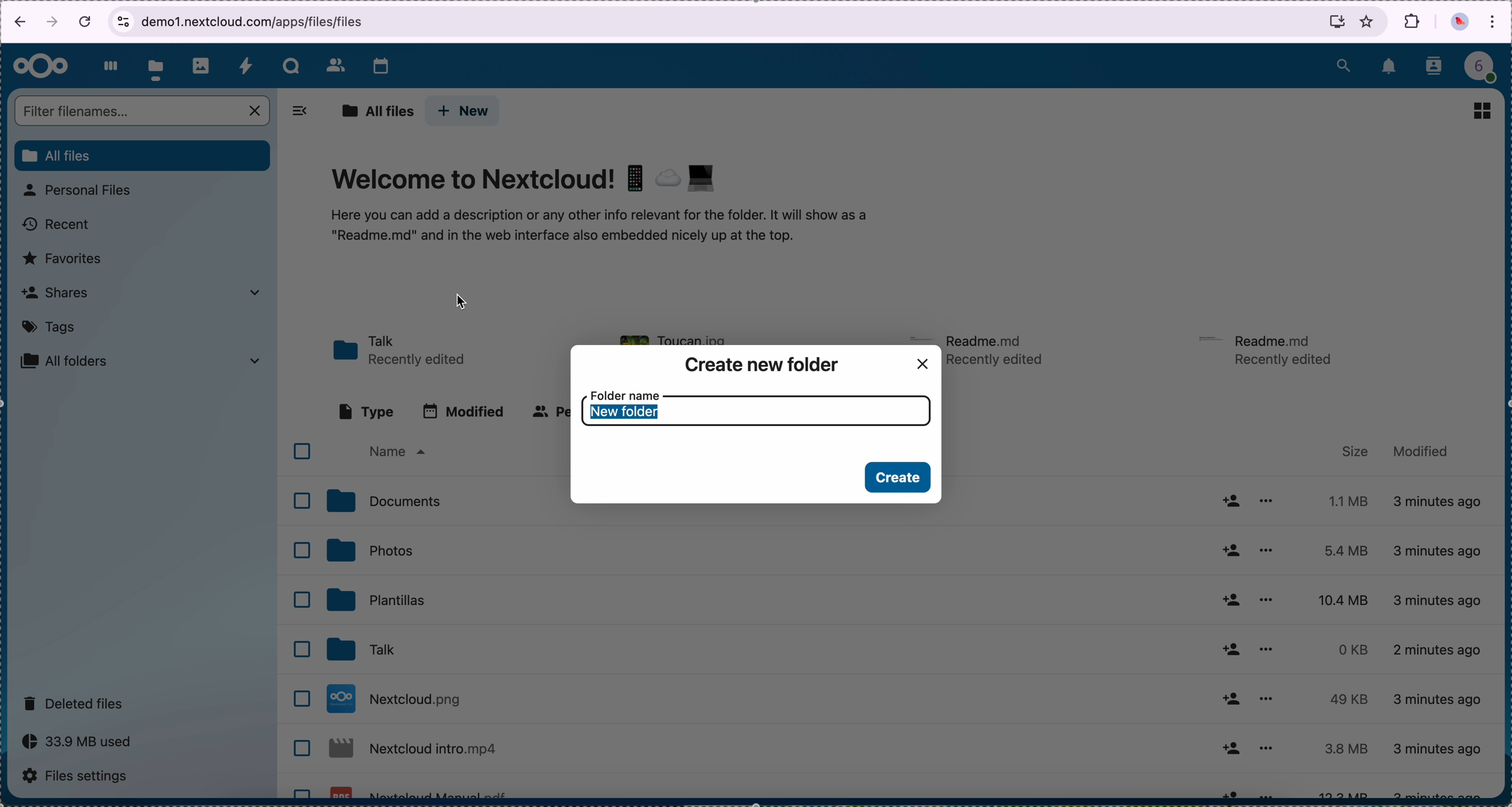 This screenshot has width=1512, height=807. What do you see at coordinates (548, 411) in the screenshot?
I see `people` at bounding box center [548, 411].